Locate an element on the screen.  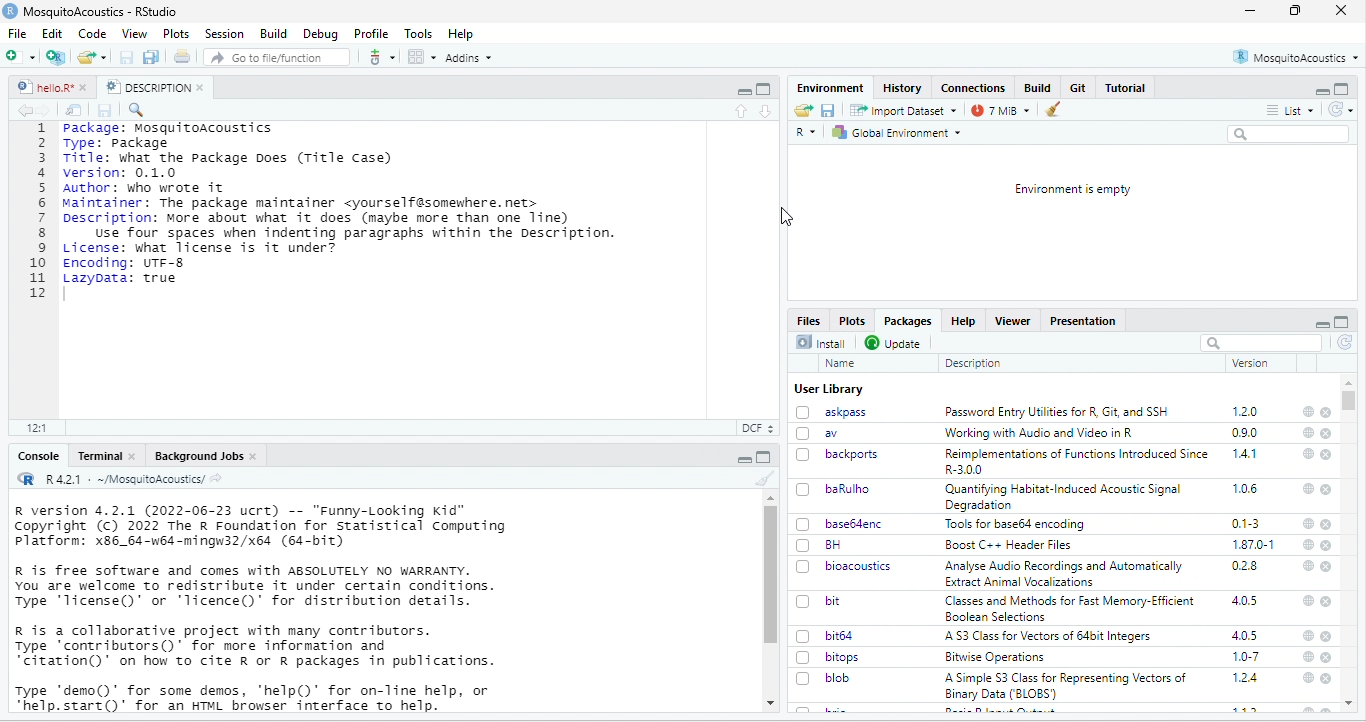
maximize is located at coordinates (743, 457).